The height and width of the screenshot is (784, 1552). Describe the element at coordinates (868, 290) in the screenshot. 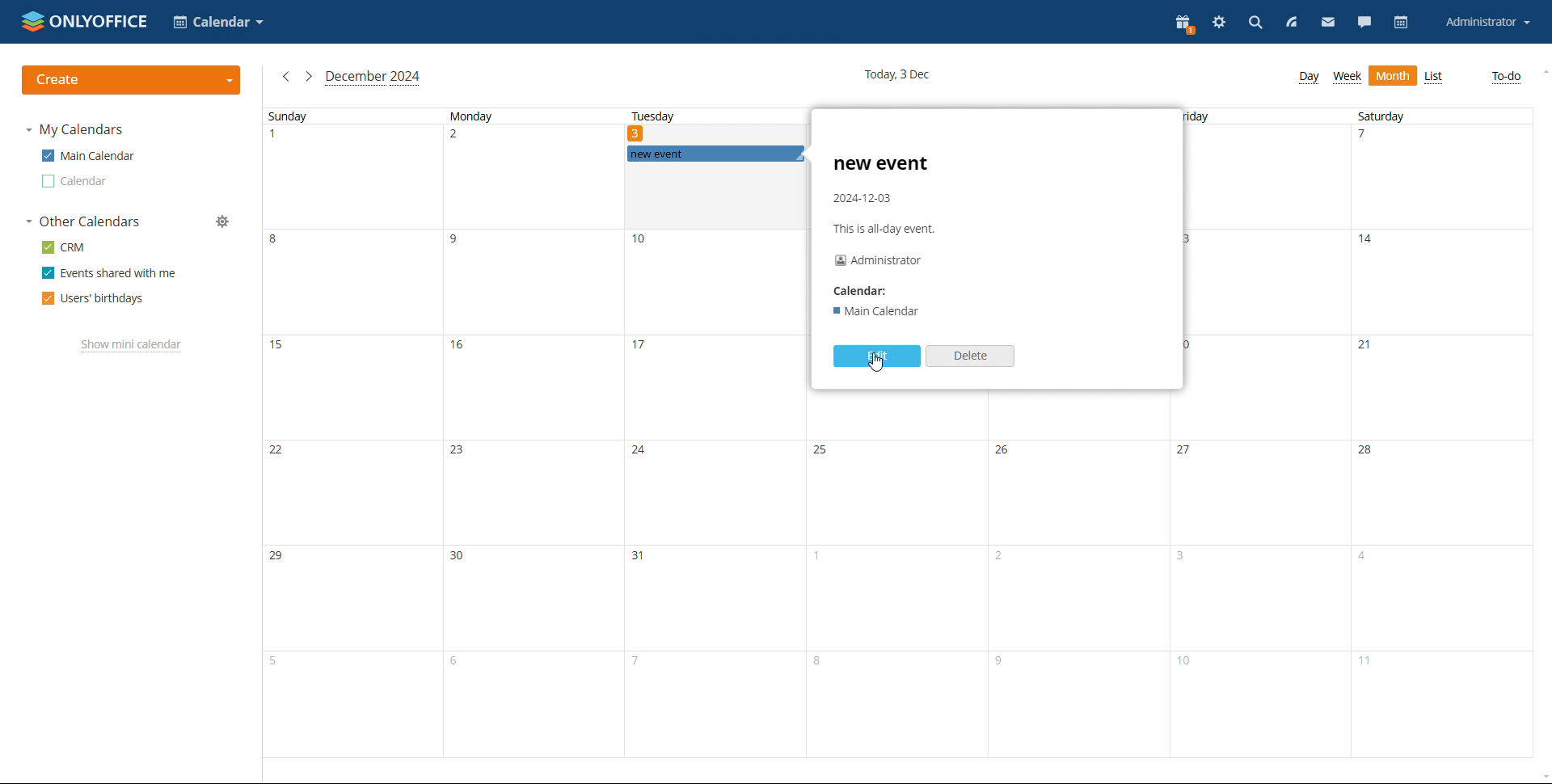

I see `calender` at that location.